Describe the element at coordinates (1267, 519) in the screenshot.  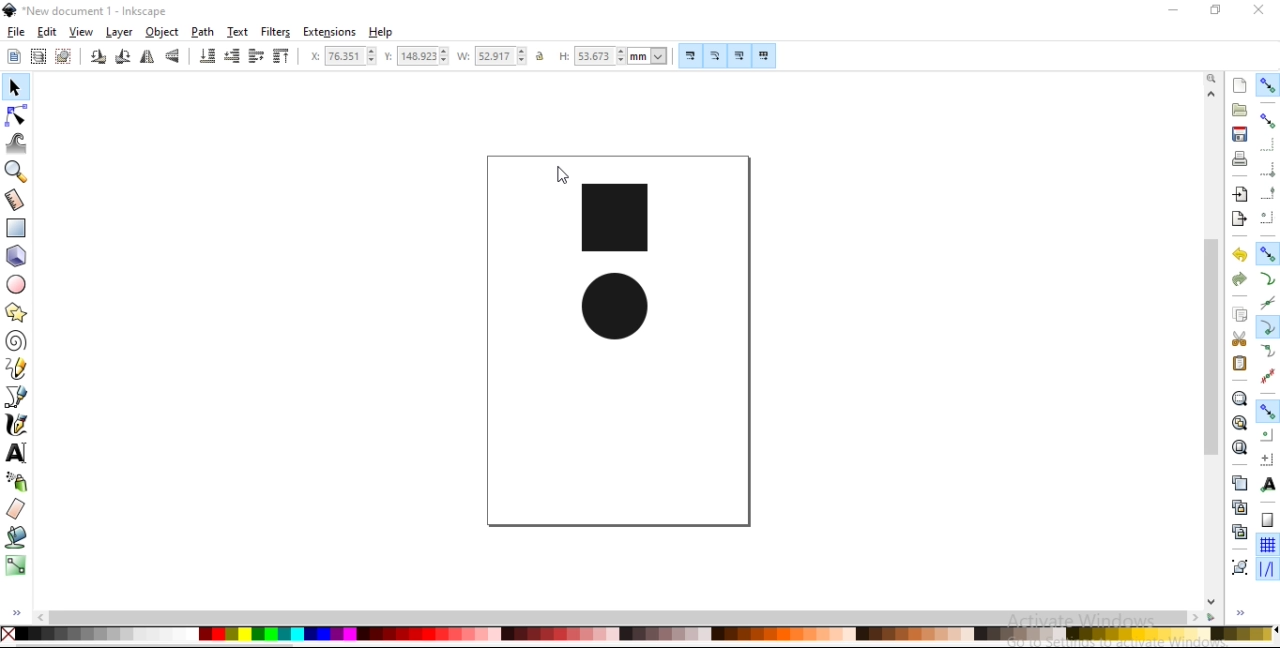
I see `snap to page borders` at that location.